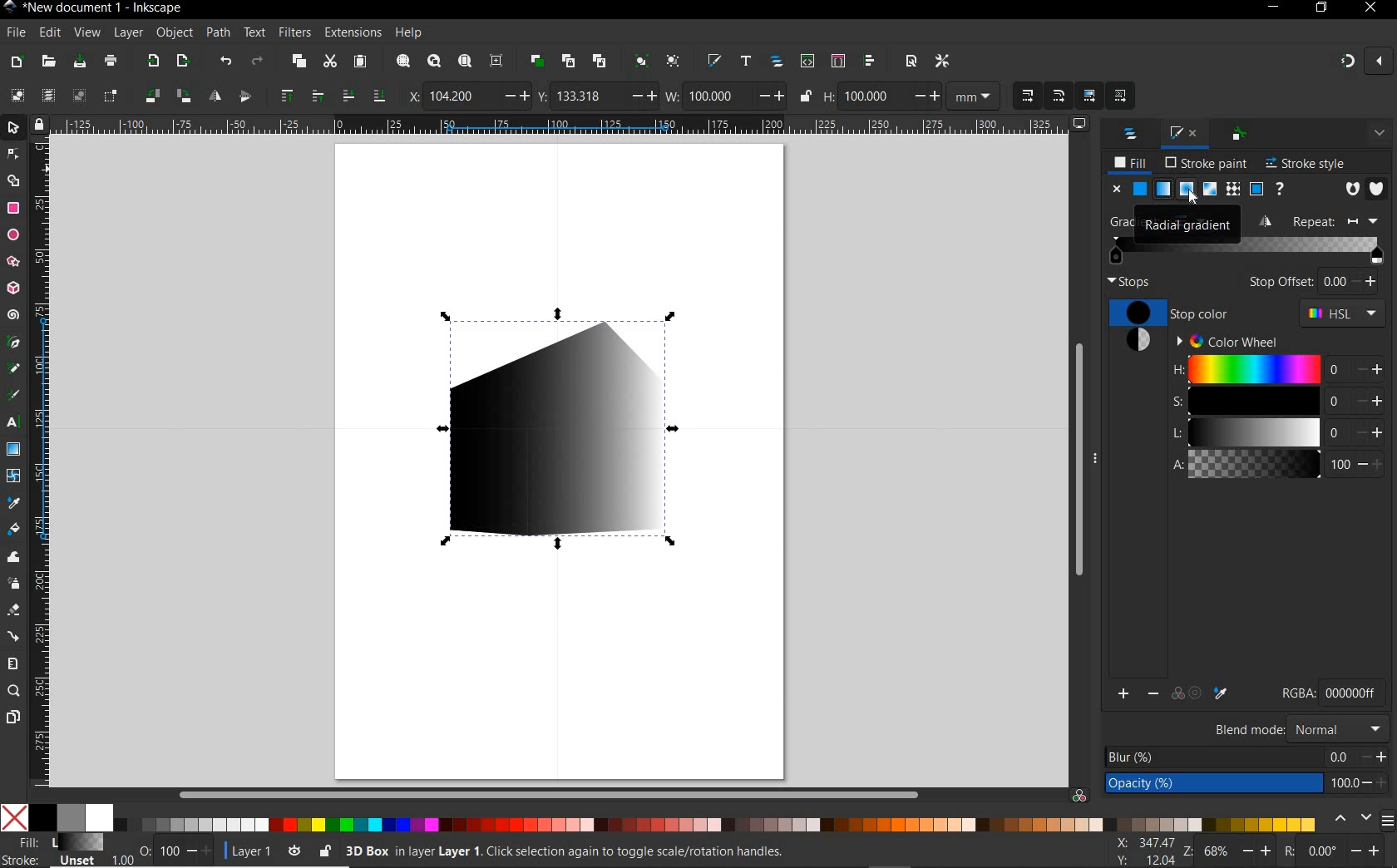 This screenshot has width=1397, height=868. Describe the element at coordinates (111, 60) in the screenshot. I see `PRINT` at that location.